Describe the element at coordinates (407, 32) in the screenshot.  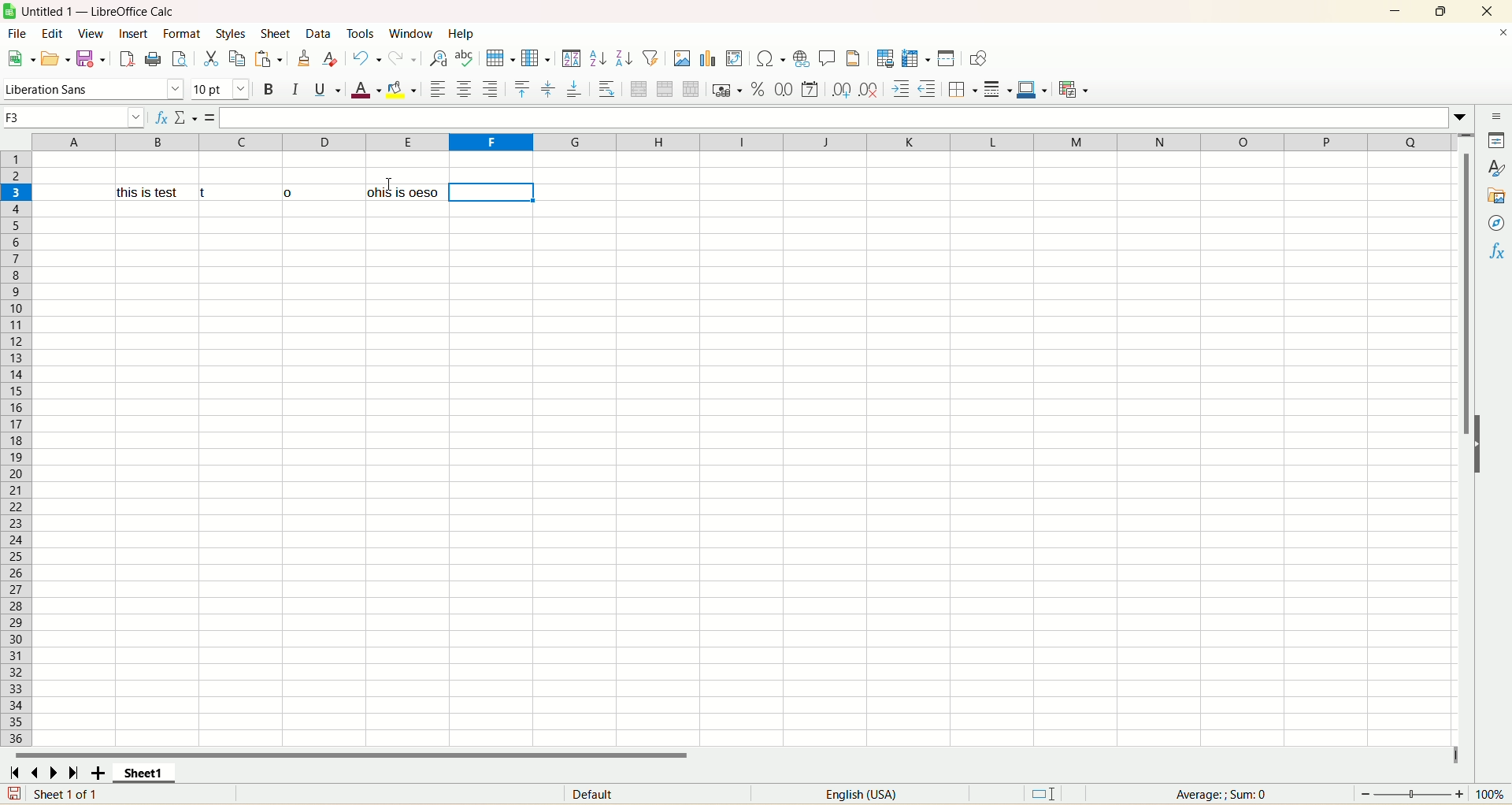
I see `window` at that location.